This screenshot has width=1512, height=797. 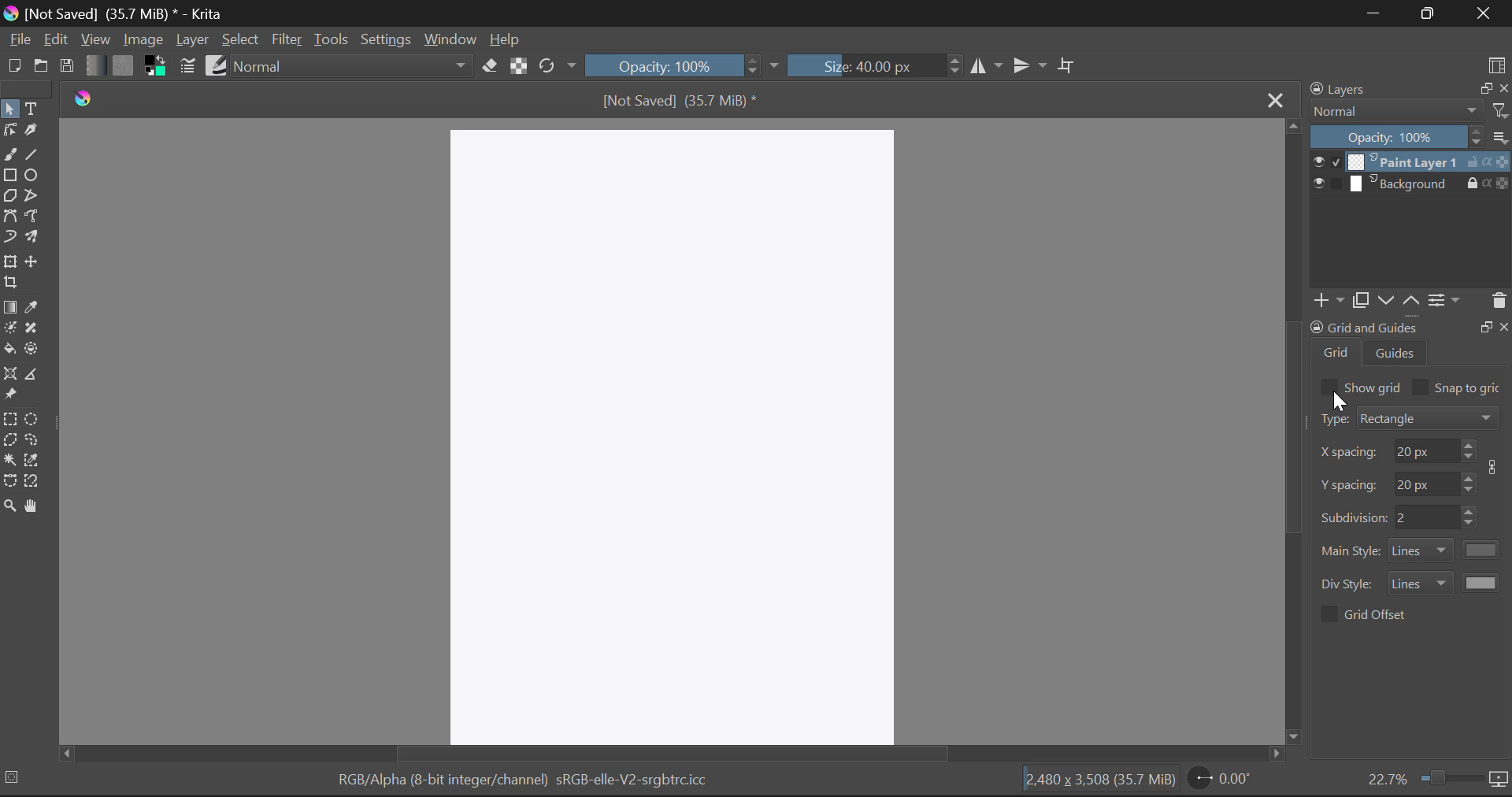 What do you see at coordinates (1273, 98) in the screenshot?
I see `Close` at bounding box center [1273, 98].